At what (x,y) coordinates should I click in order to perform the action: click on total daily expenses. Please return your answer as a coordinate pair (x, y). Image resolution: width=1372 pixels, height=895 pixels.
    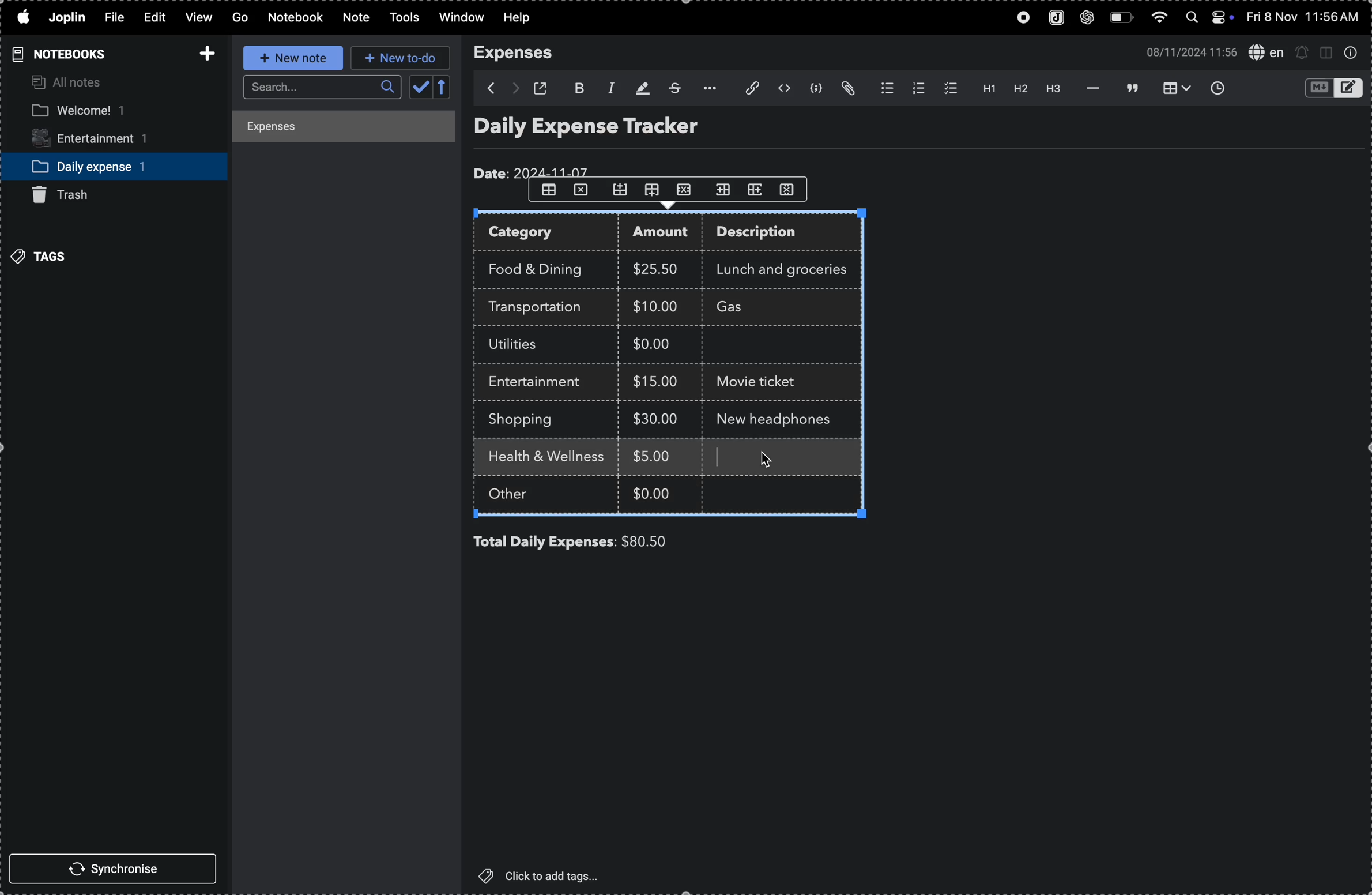
    Looking at the image, I should click on (545, 542).